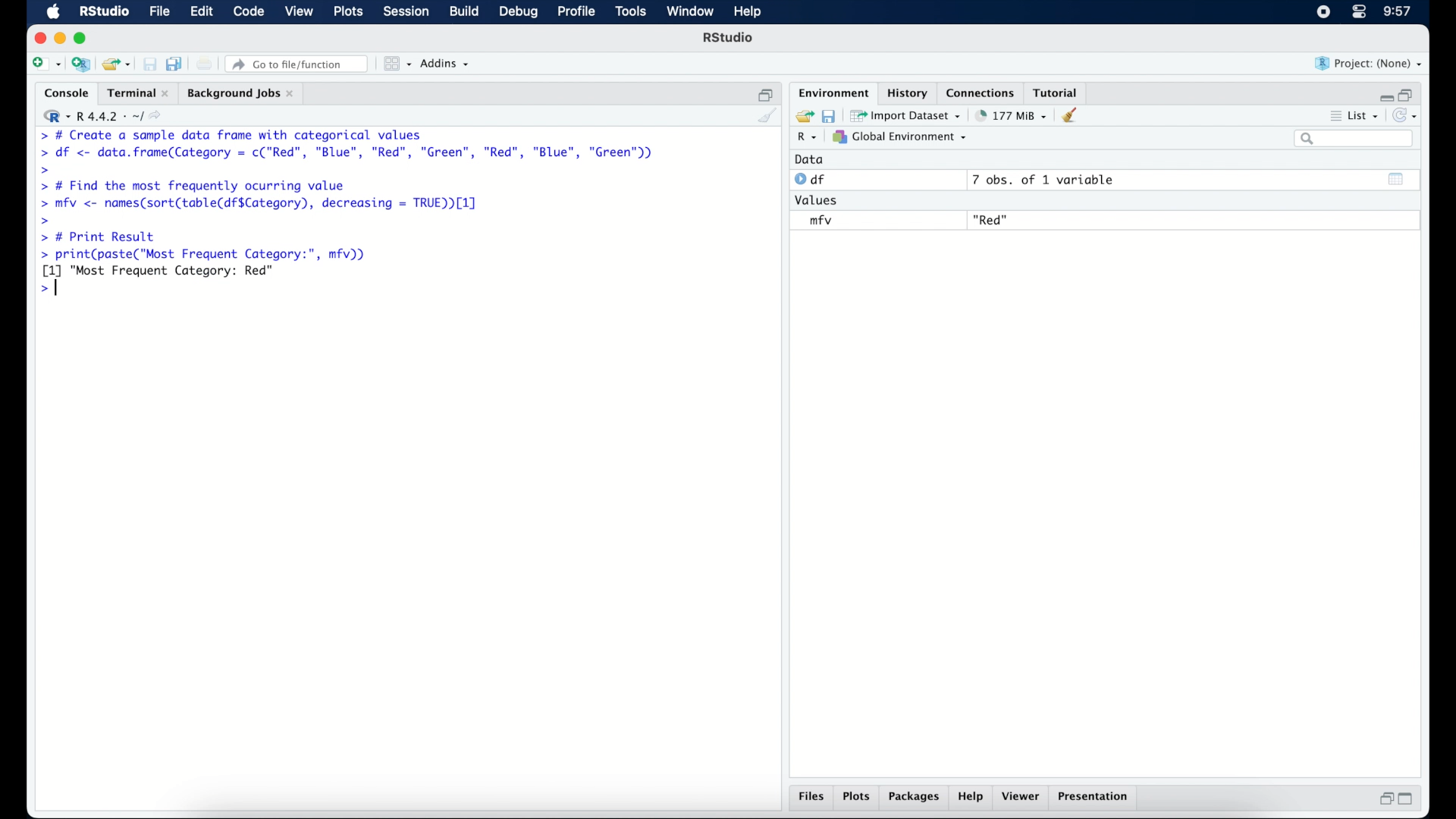 This screenshot has width=1456, height=819. What do you see at coordinates (174, 62) in the screenshot?
I see `save all open documents` at bounding box center [174, 62].